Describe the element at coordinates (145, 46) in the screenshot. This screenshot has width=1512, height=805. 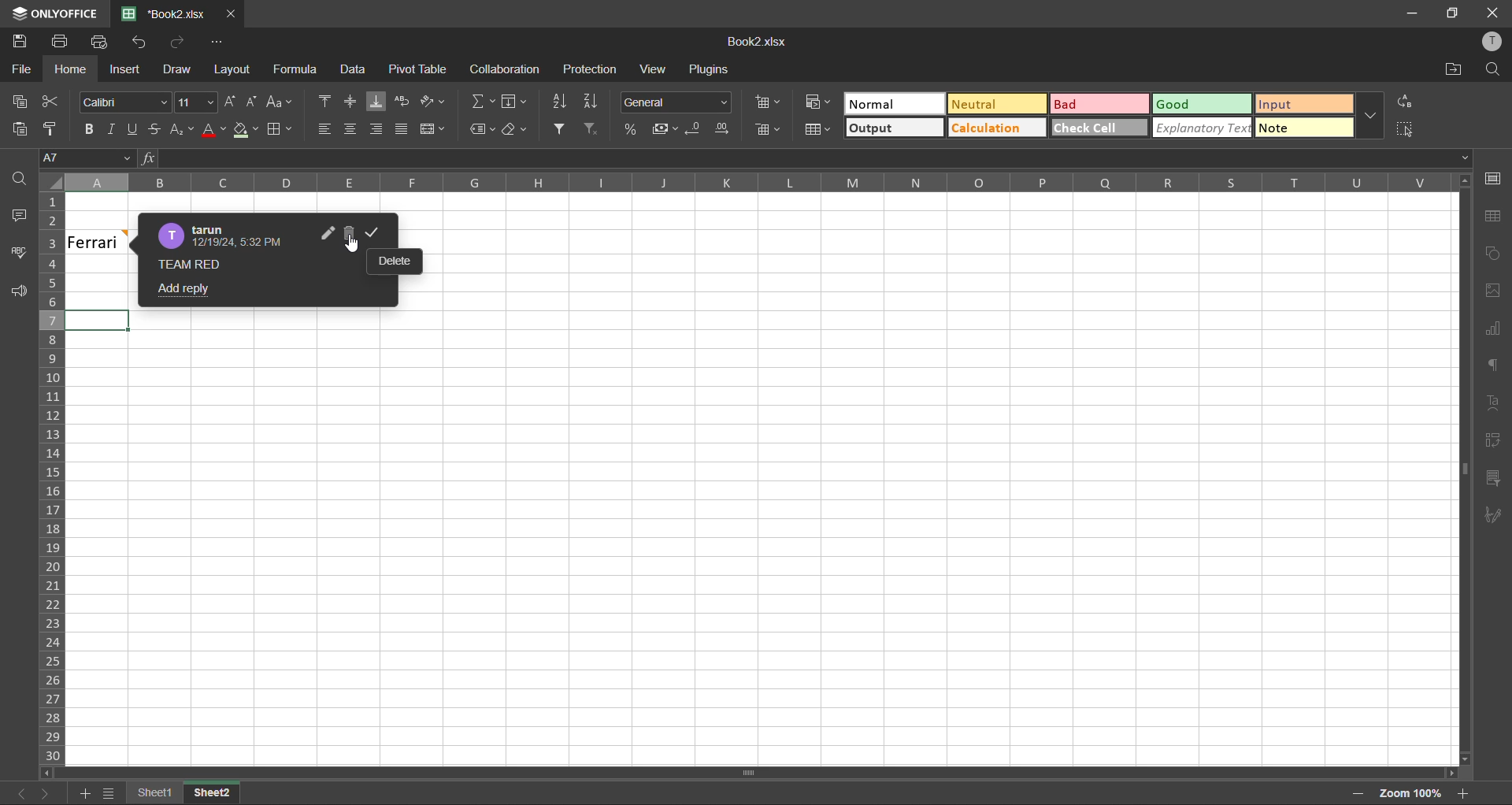
I see `Undo` at that location.